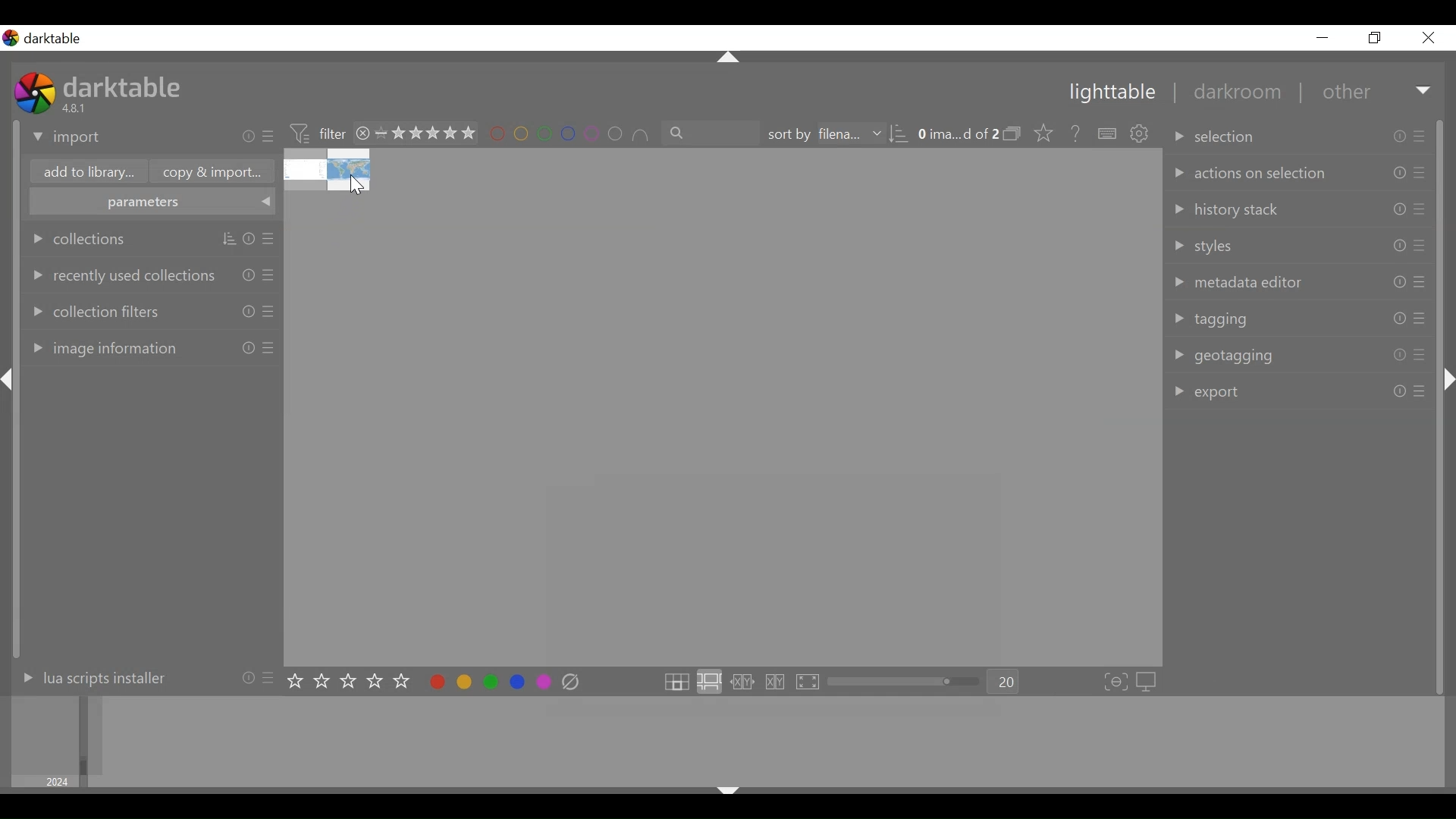 This screenshot has width=1456, height=819. What do you see at coordinates (838, 135) in the screenshot?
I see `sort by` at bounding box center [838, 135].